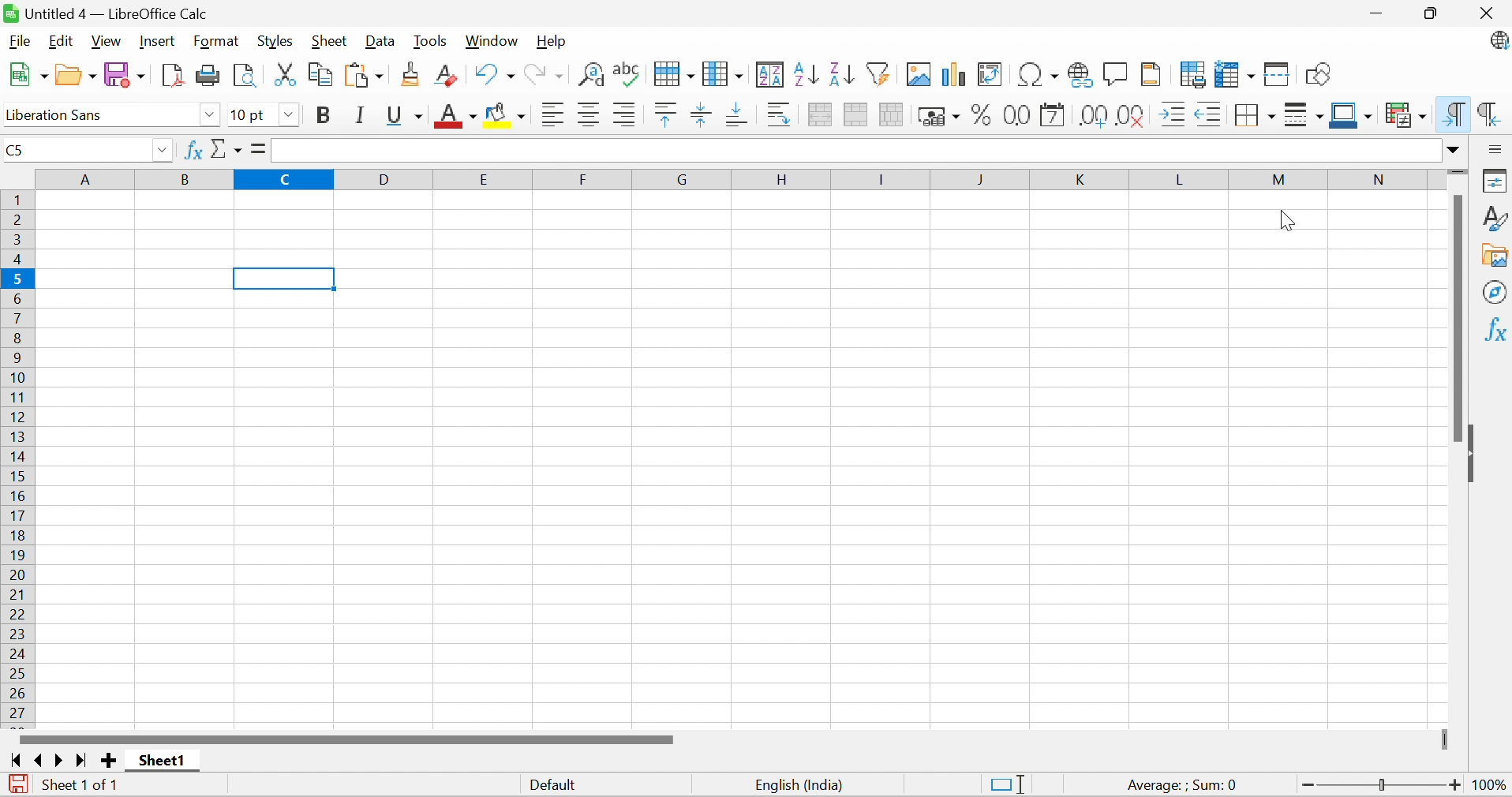 The height and width of the screenshot is (797, 1512). What do you see at coordinates (110, 759) in the screenshot?
I see `Add new sheet` at bounding box center [110, 759].